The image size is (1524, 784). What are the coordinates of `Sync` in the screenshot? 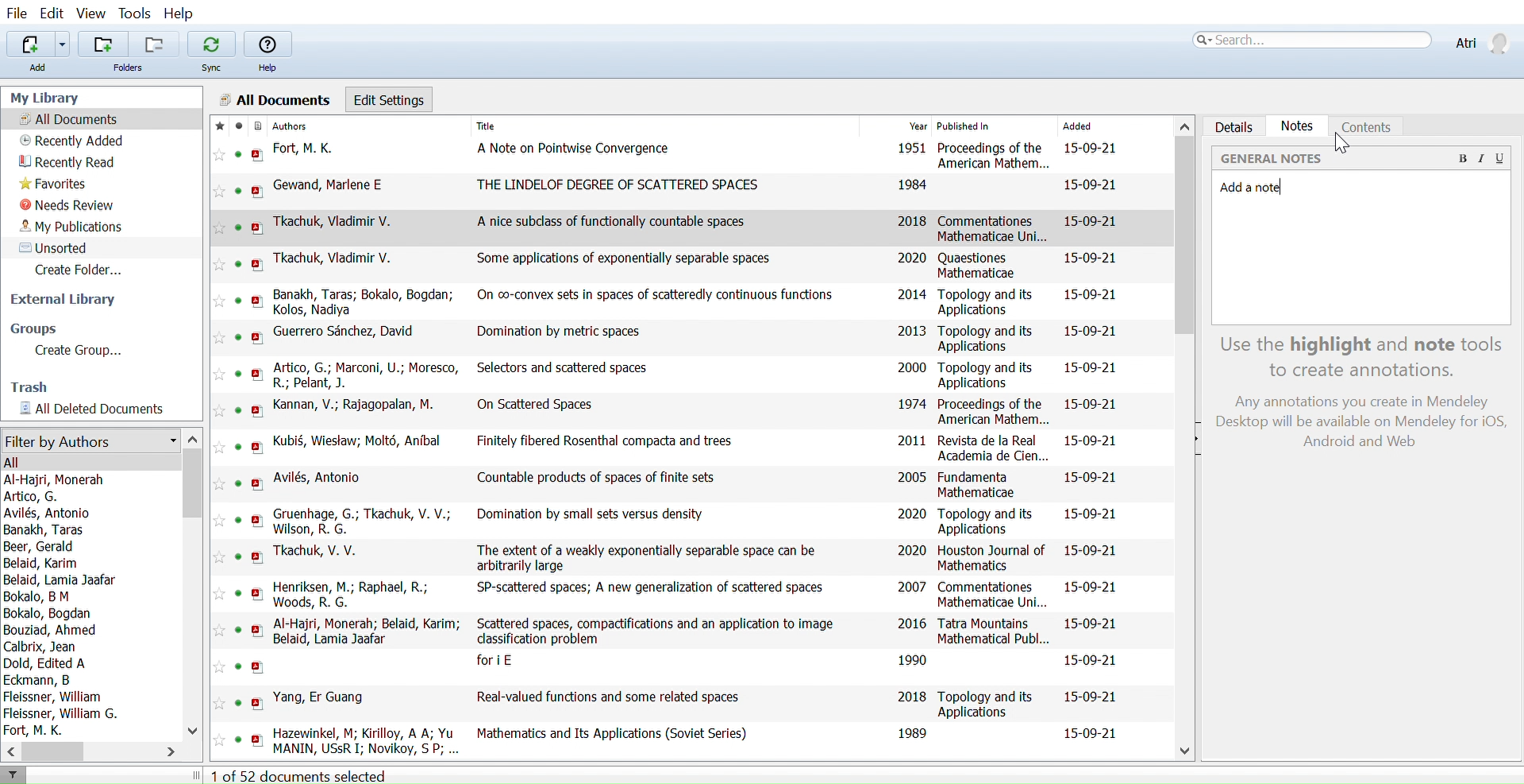 It's located at (212, 69).